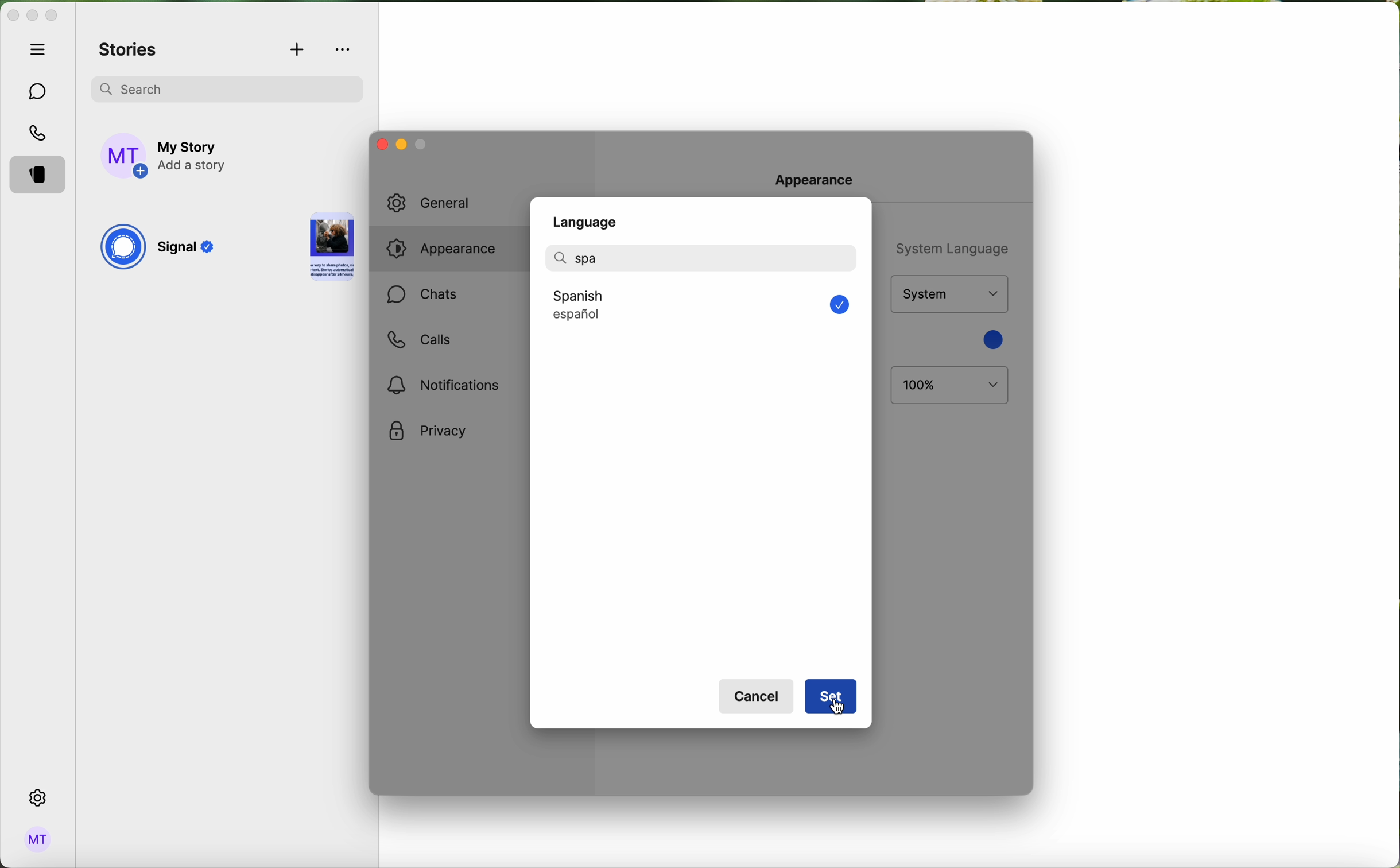 Image resolution: width=1400 pixels, height=868 pixels. I want to click on click on appearance, so click(449, 251).